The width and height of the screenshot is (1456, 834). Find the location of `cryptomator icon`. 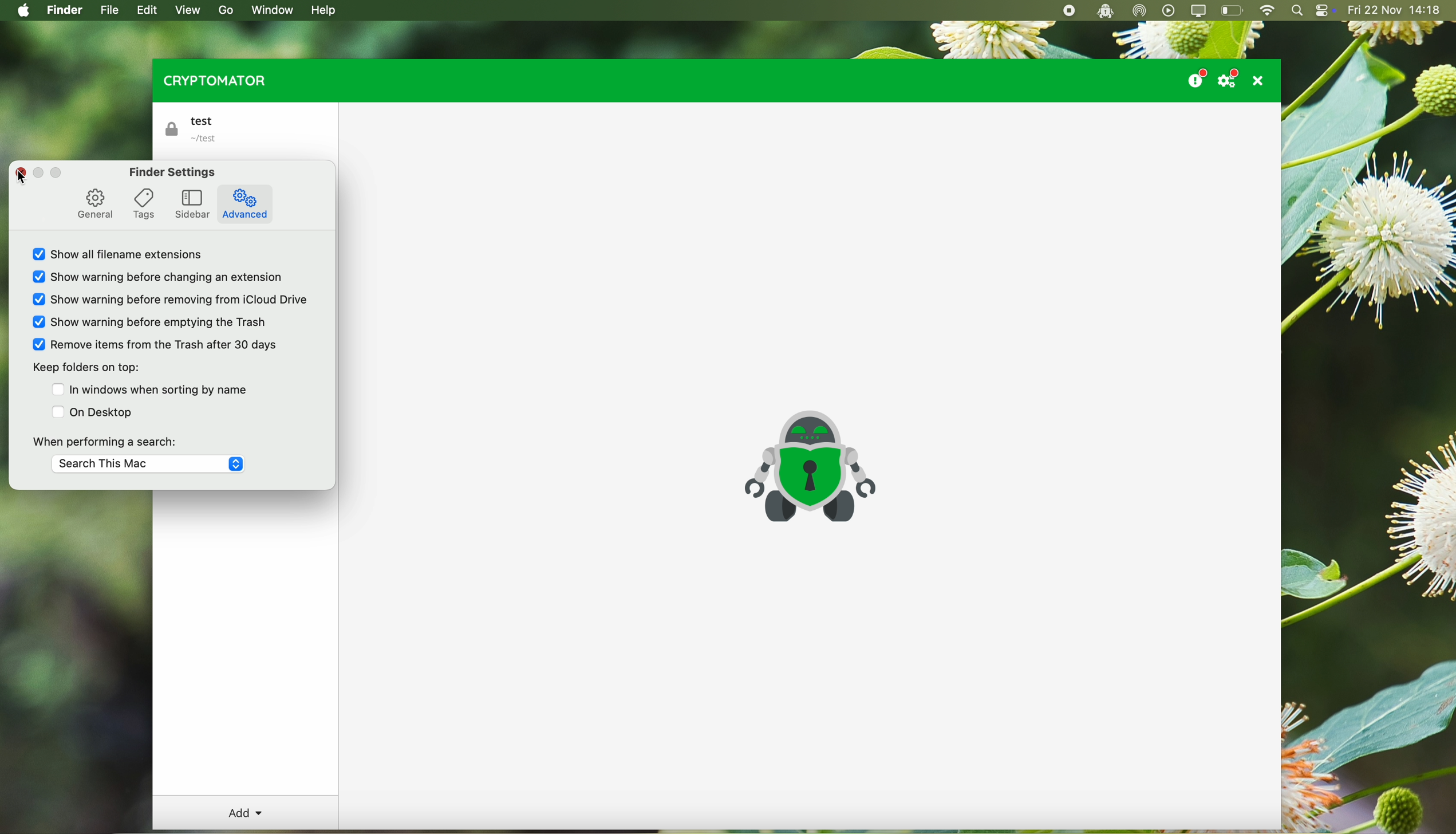

cryptomator icon is located at coordinates (808, 467).